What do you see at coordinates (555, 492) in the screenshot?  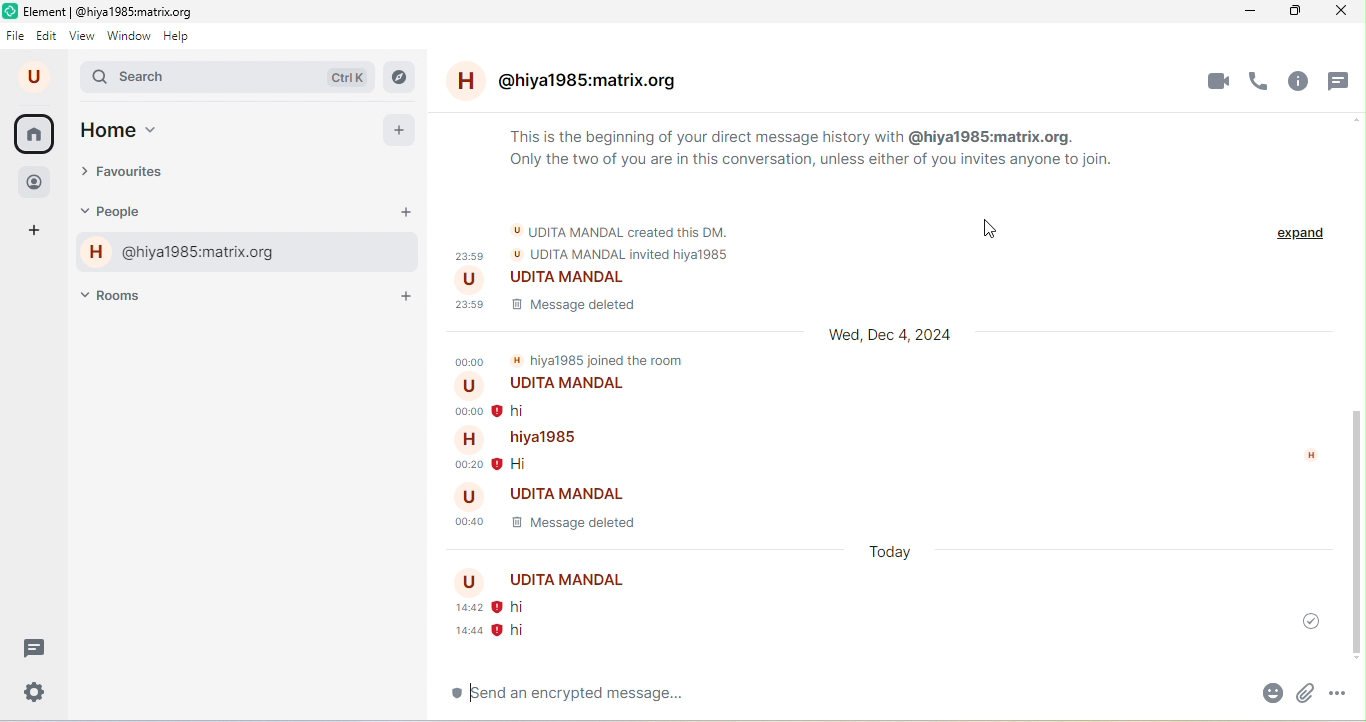 I see `udita mandal` at bounding box center [555, 492].